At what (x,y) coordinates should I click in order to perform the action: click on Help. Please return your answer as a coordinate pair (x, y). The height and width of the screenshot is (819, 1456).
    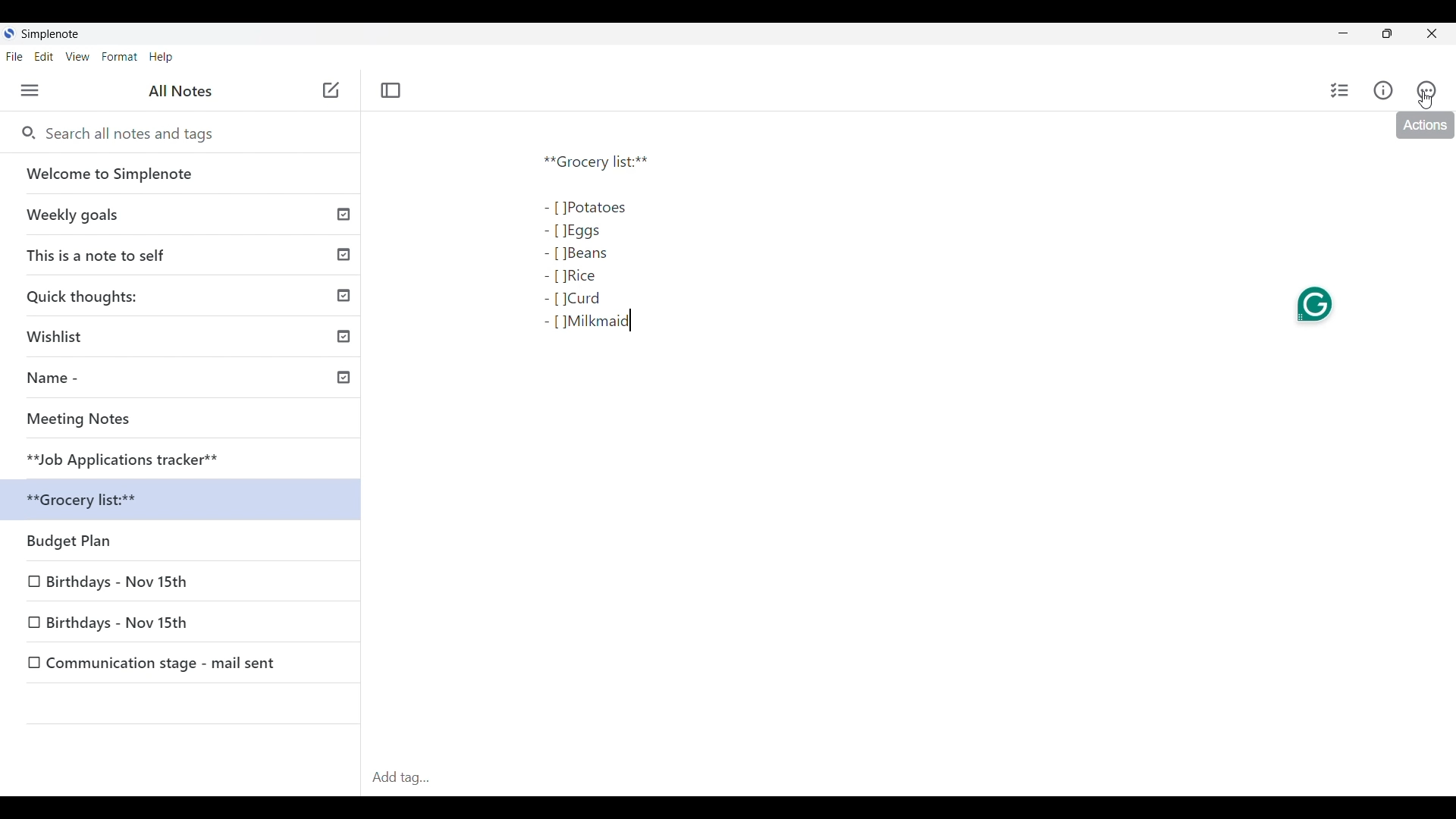
    Looking at the image, I should click on (162, 58).